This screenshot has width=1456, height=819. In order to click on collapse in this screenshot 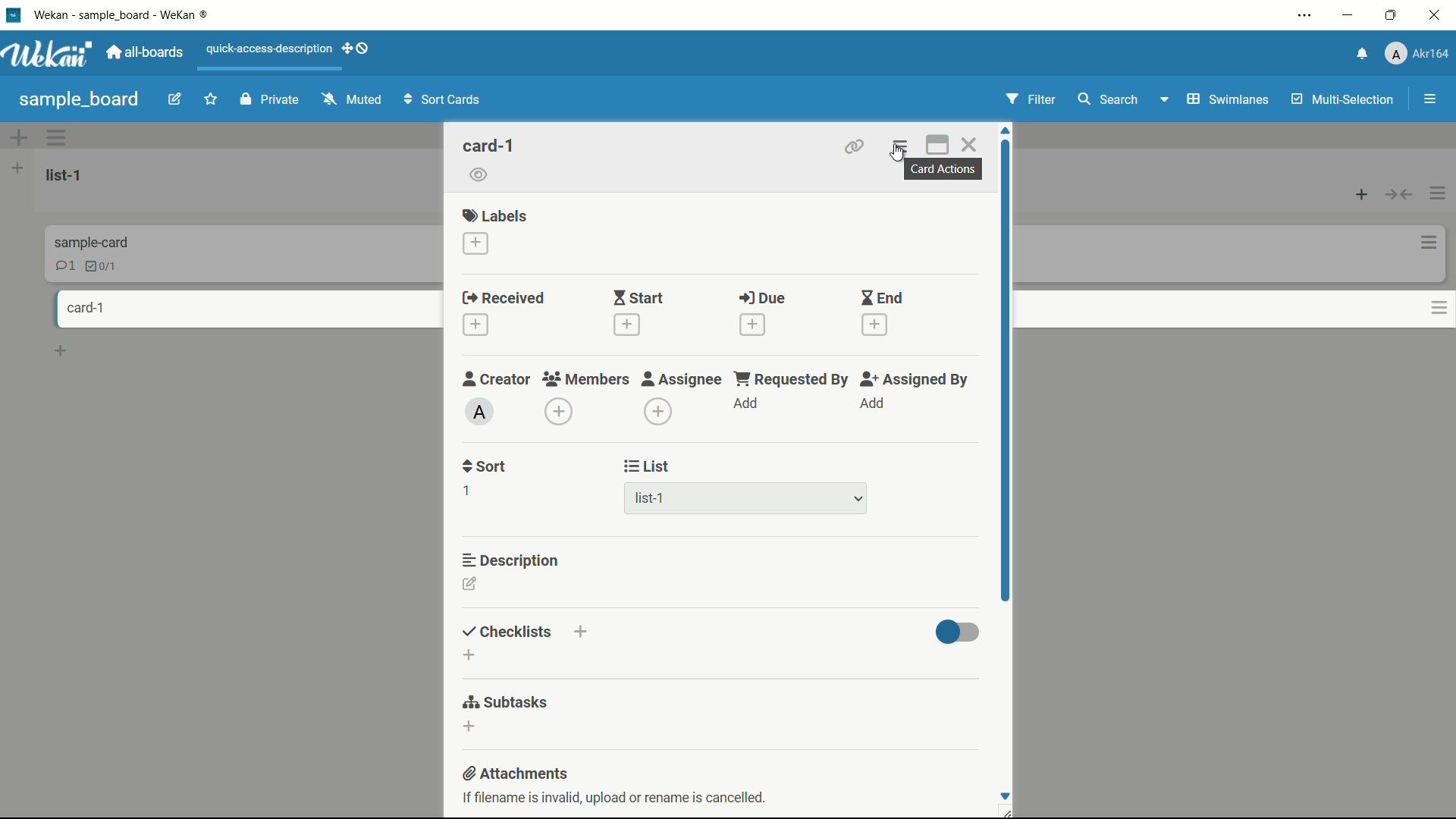, I will do `click(1398, 190)`.